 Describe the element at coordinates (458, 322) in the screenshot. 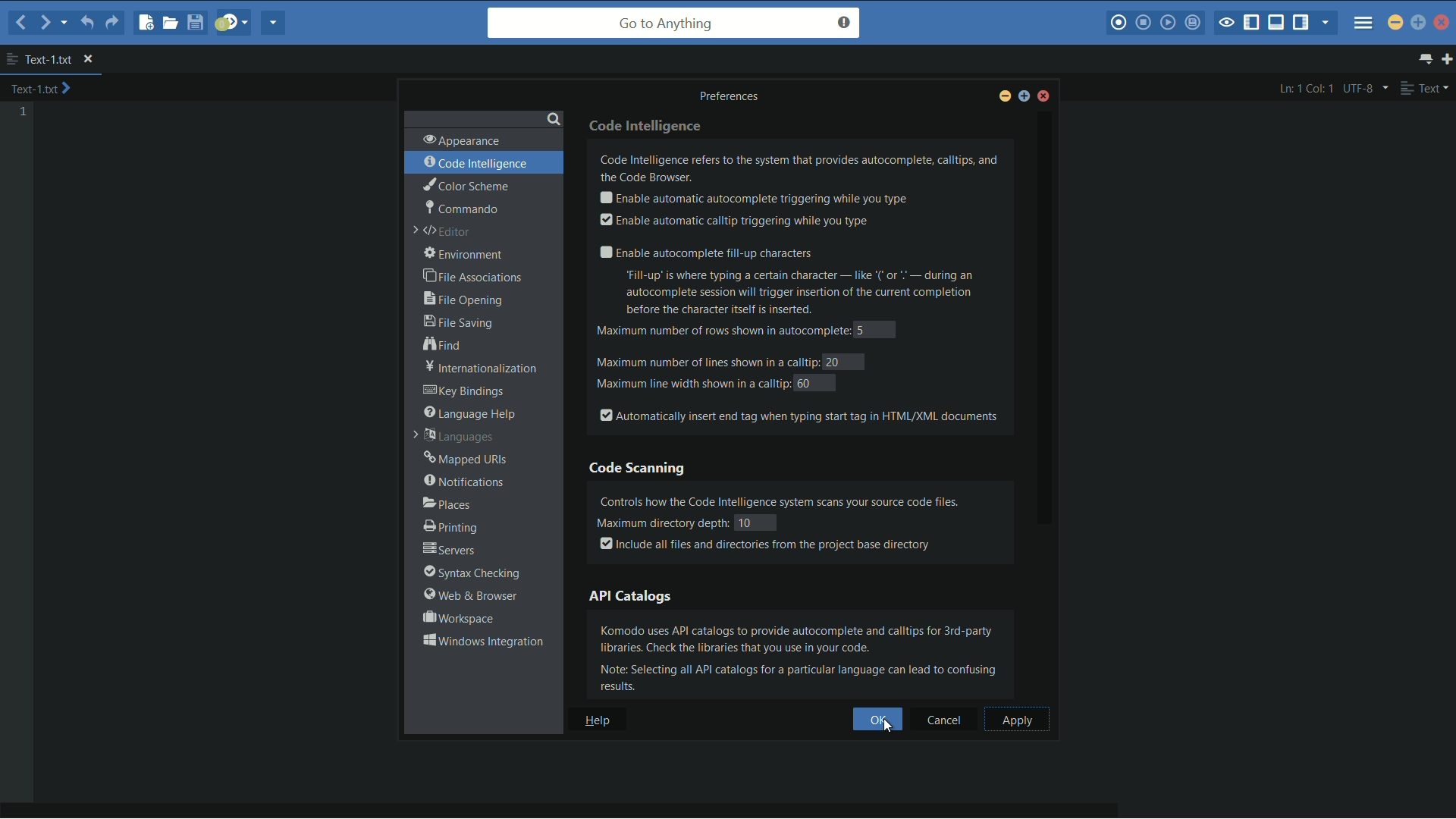

I see `file saving` at that location.